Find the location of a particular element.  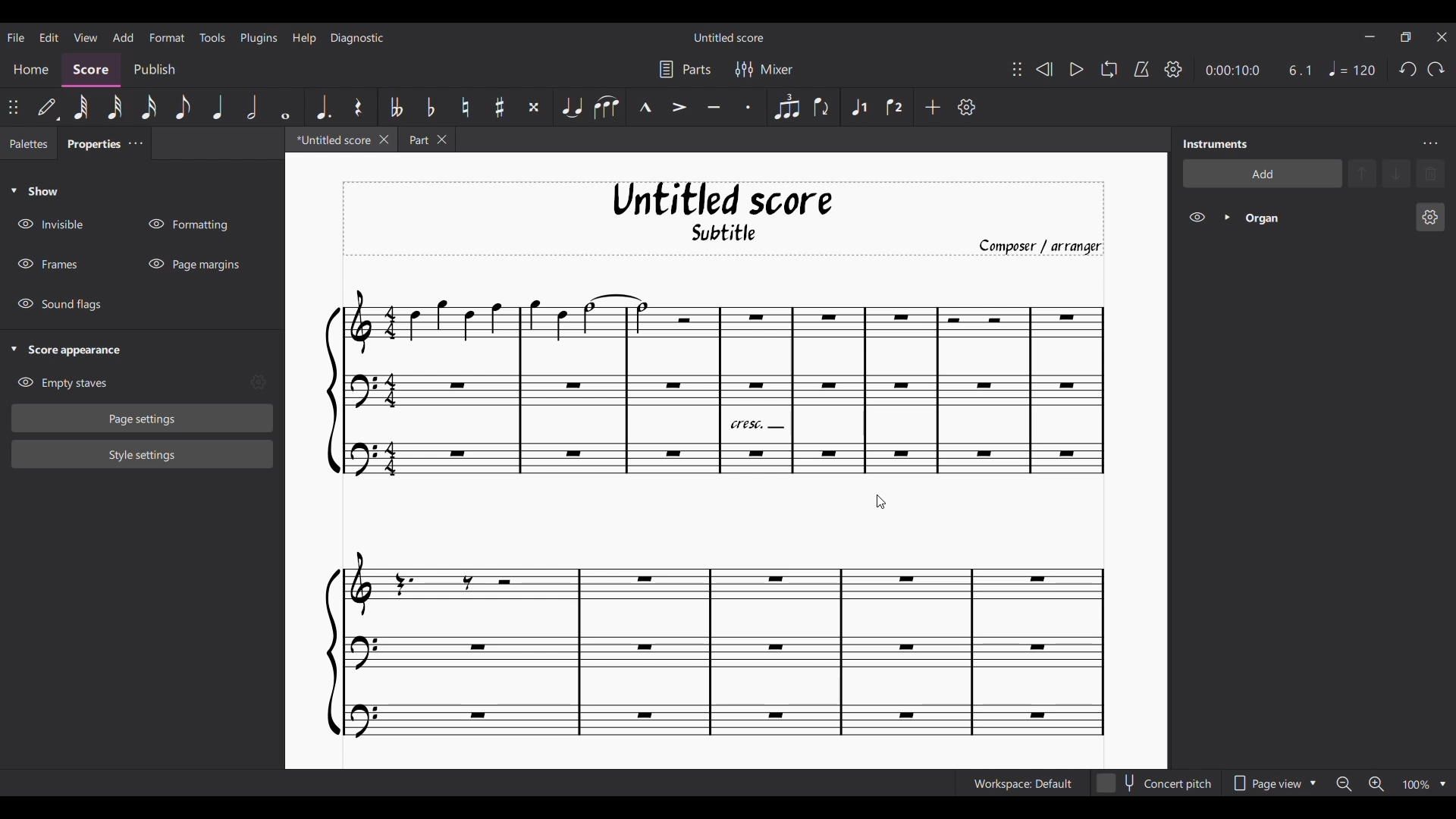

Voice 1 is located at coordinates (858, 106).